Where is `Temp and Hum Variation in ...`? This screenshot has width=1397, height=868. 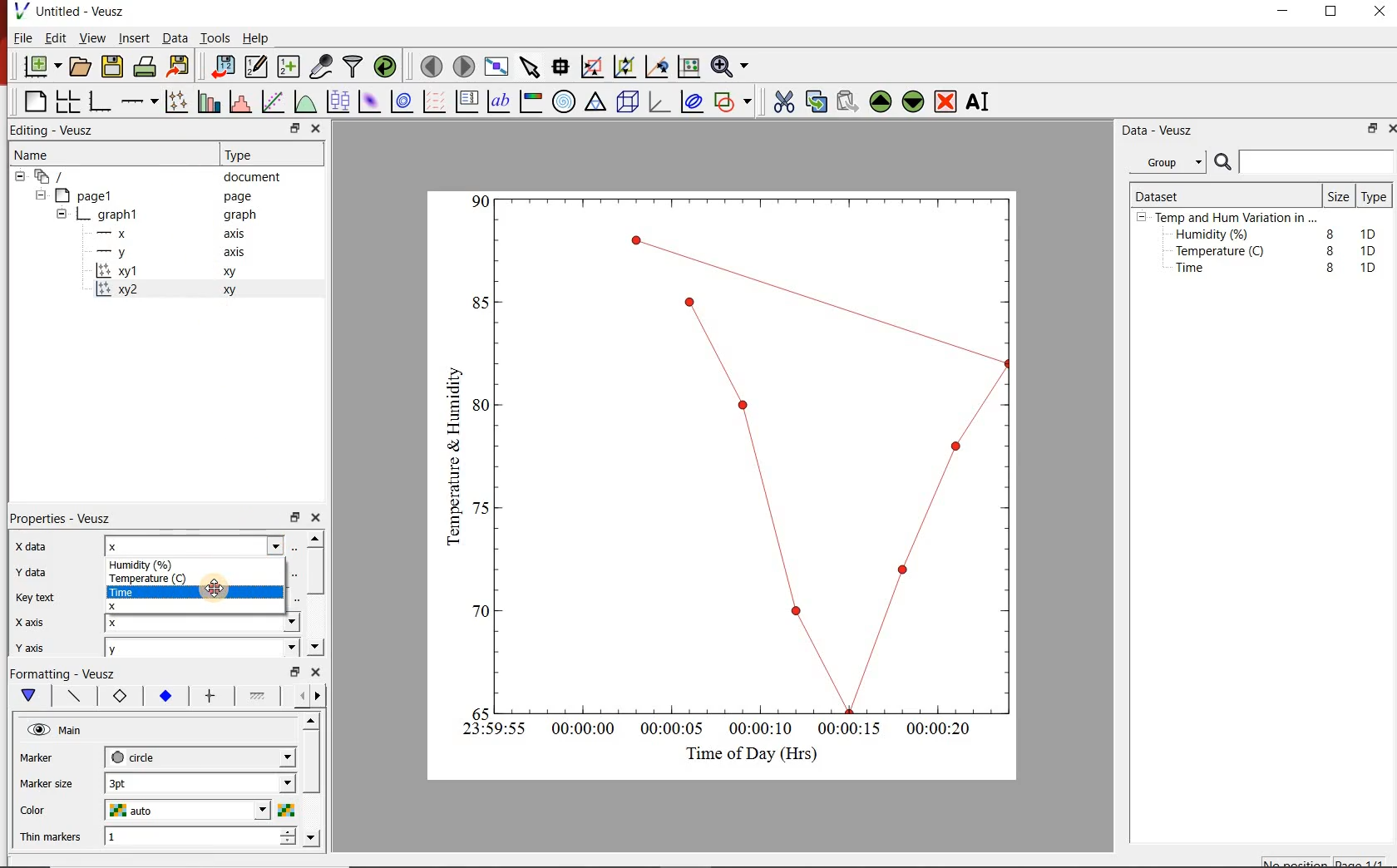 Temp and Hum Variation in ... is located at coordinates (1236, 218).